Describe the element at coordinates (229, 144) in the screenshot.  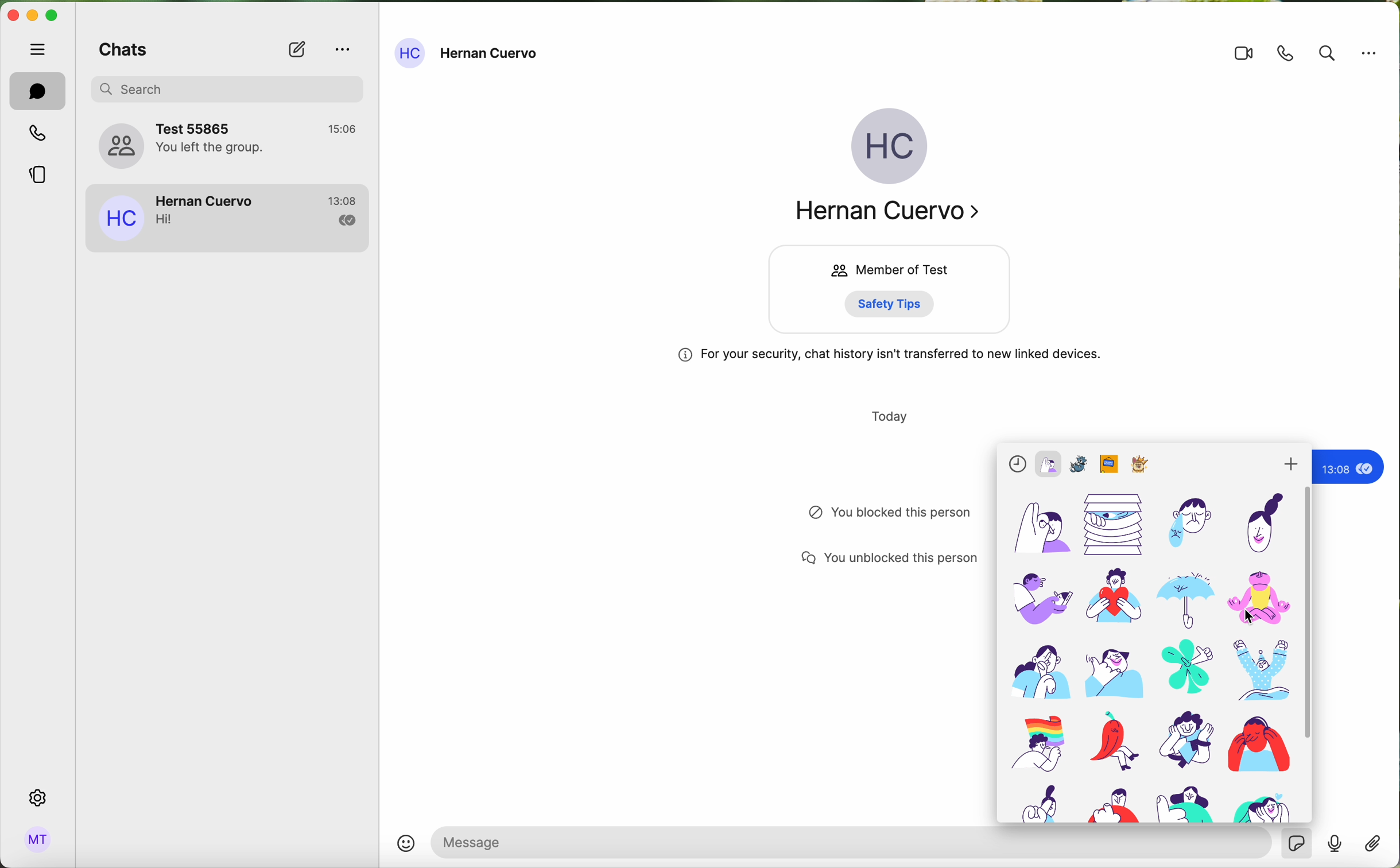
I see `name of group` at that location.